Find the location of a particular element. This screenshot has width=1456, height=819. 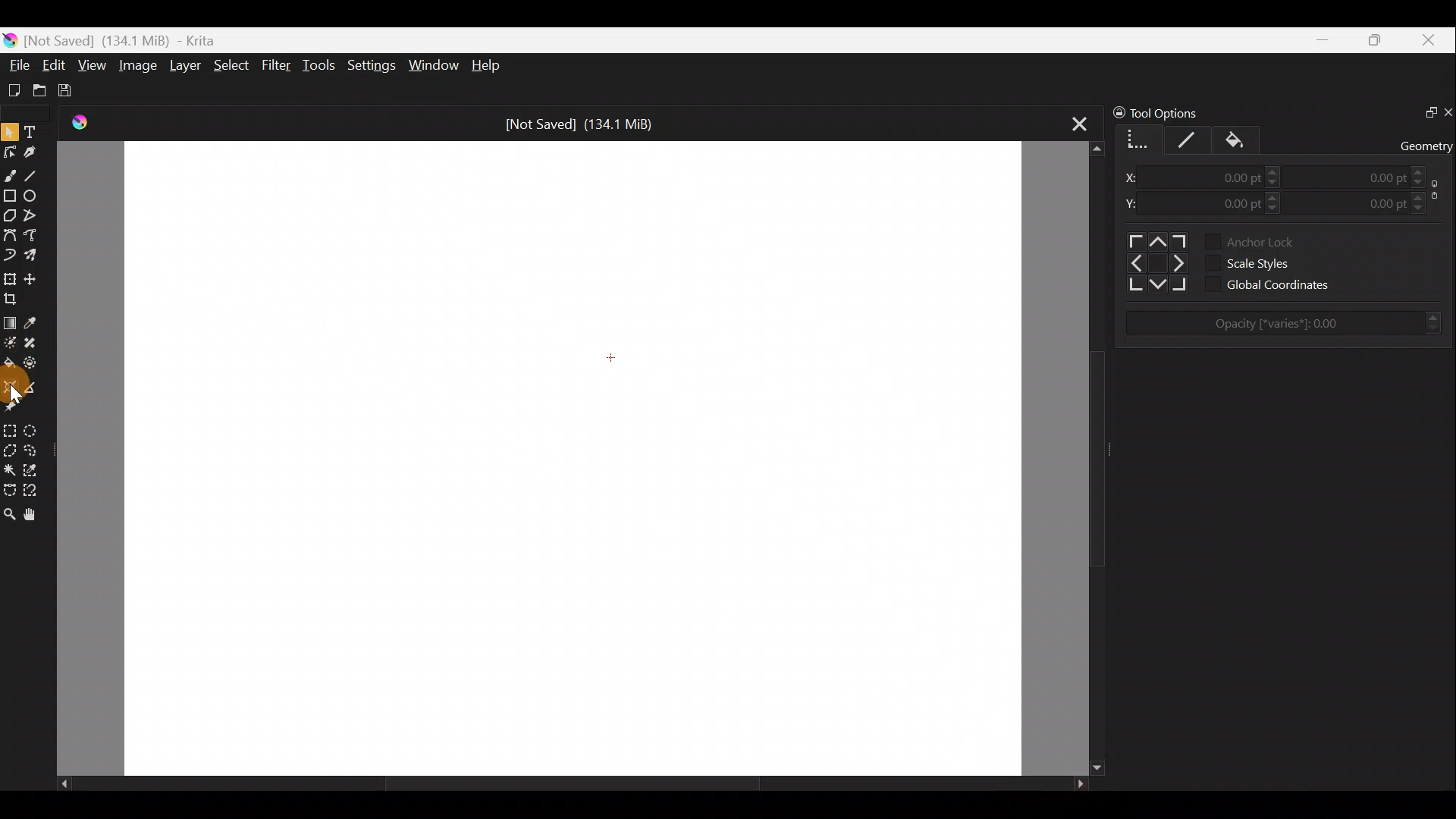

Tools is located at coordinates (322, 67).